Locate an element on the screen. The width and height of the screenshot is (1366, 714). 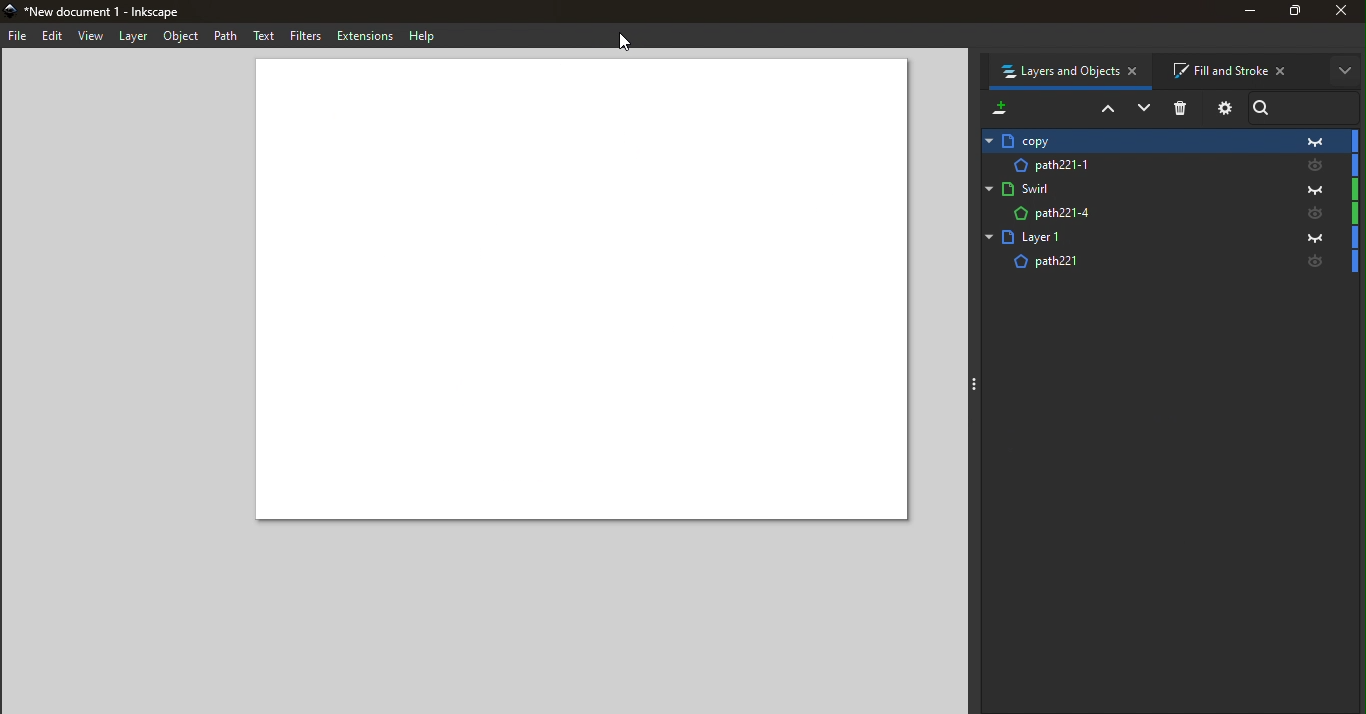
Layers and objects is located at coordinates (1068, 70).